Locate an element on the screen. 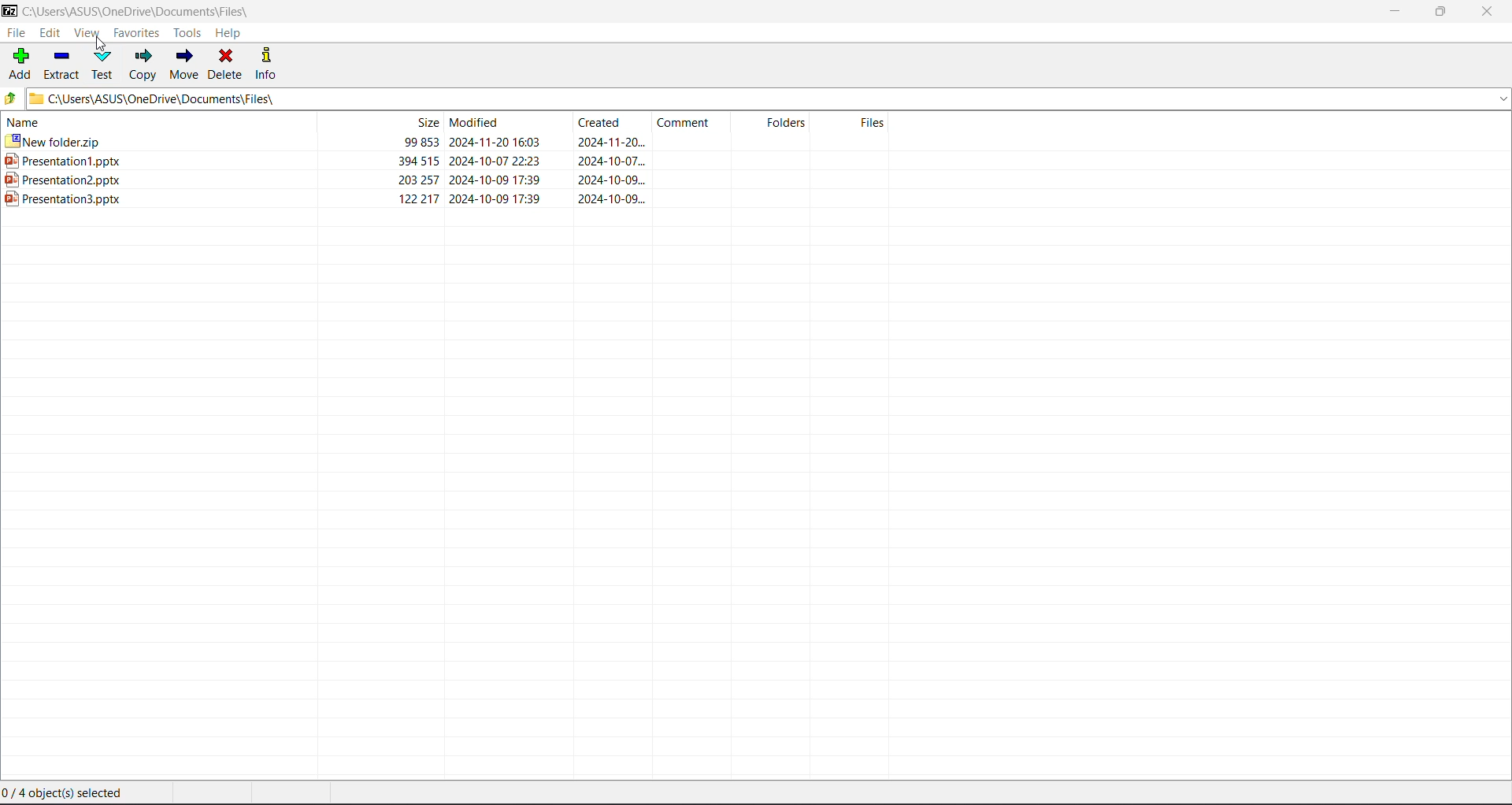 This screenshot has width=1512, height=805. ppt 2 is located at coordinates (447, 180).